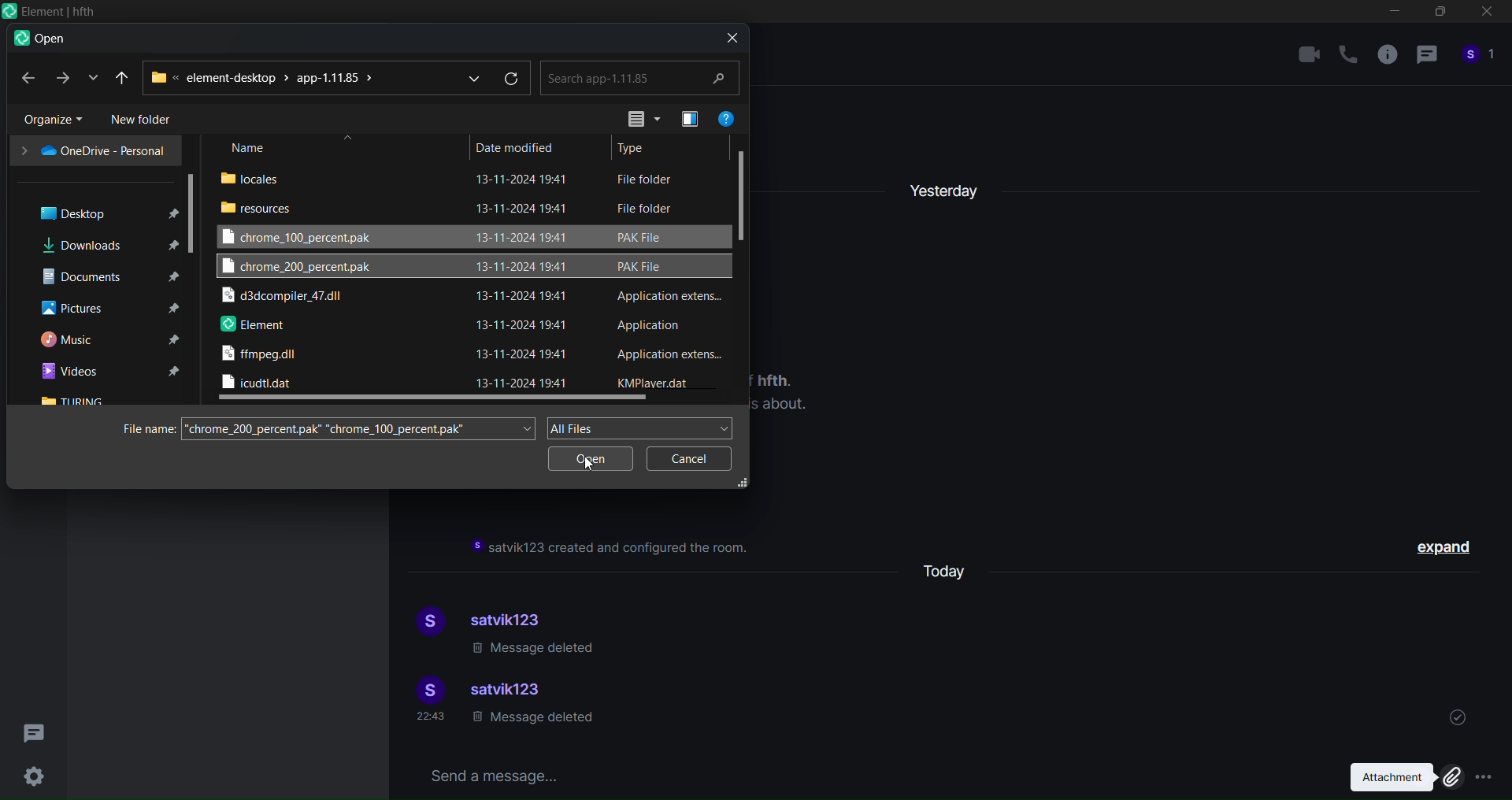 Image resolution: width=1512 pixels, height=800 pixels. Describe the element at coordinates (90, 78) in the screenshot. I see `recent location` at that location.